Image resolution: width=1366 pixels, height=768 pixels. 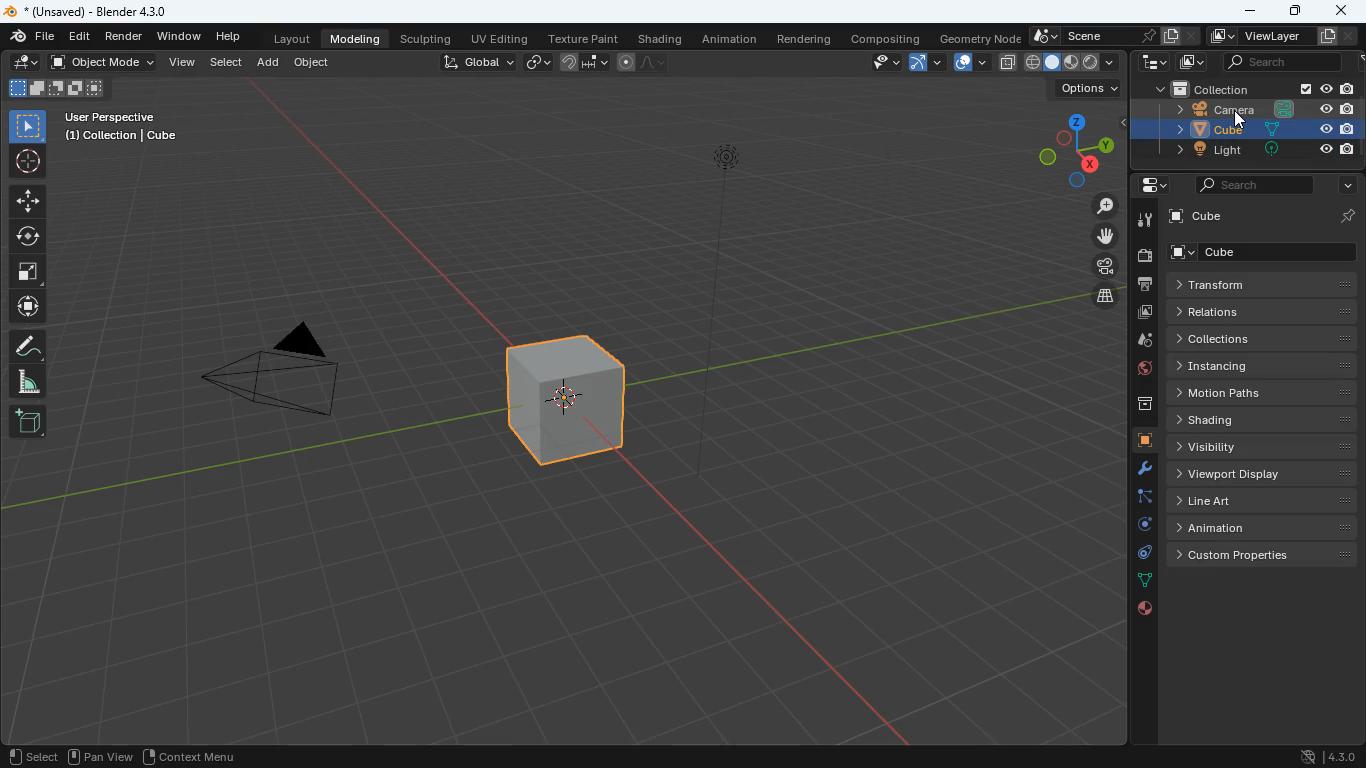 I want to click on type, so click(x=1071, y=60).